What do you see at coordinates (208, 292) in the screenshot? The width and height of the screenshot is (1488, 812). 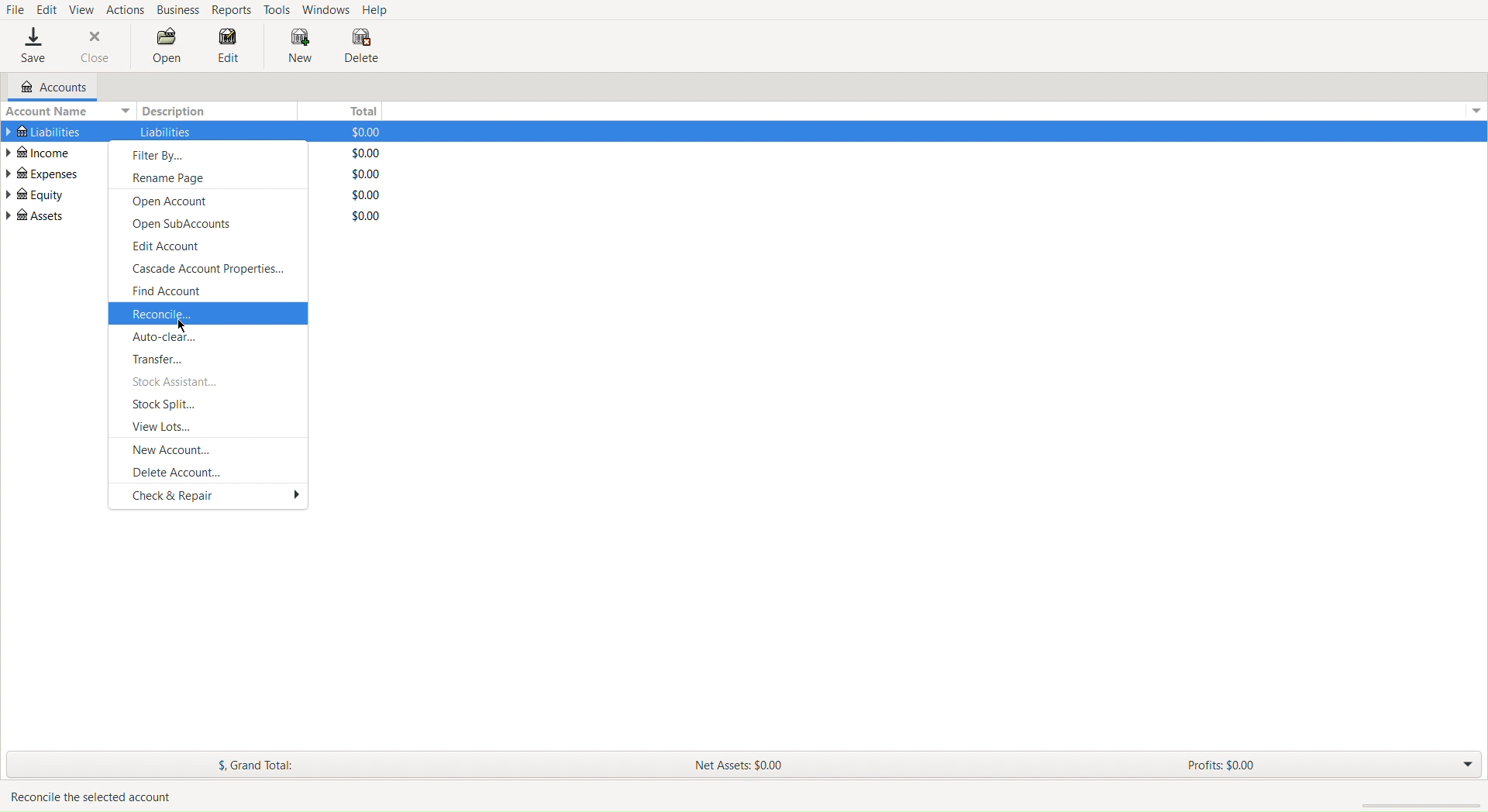 I see `Find Account` at bounding box center [208, 292].